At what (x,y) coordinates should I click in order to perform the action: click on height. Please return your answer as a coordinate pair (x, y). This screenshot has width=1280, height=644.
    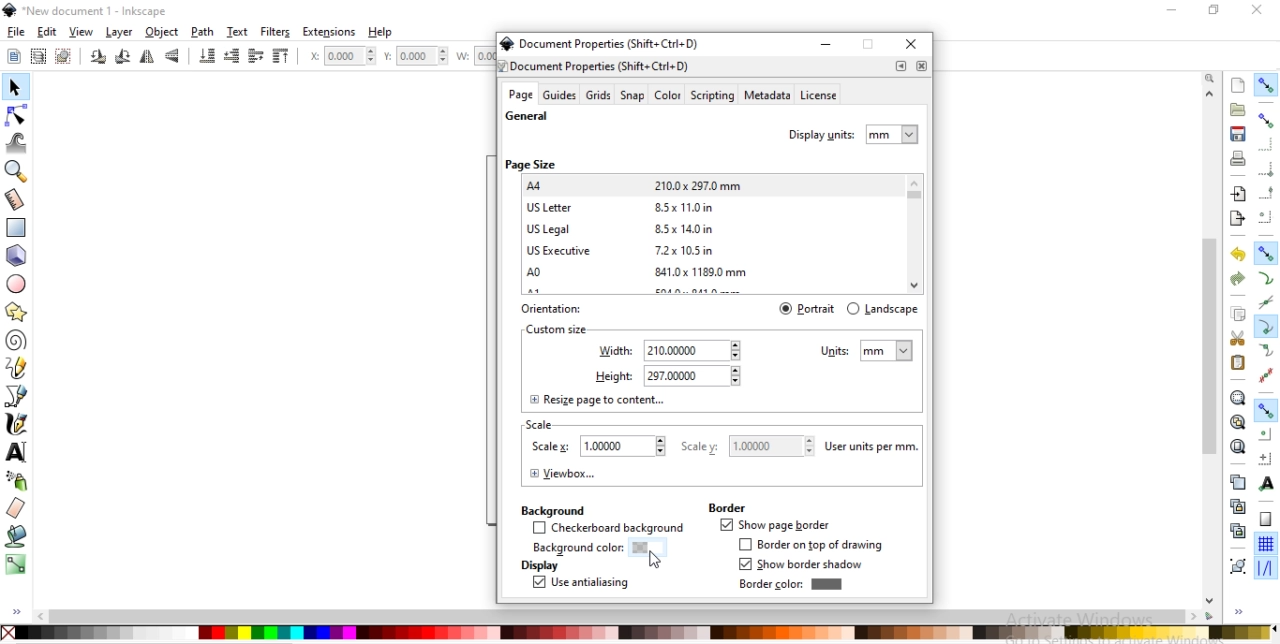
    Looking at the image, I should click on (668, 374).